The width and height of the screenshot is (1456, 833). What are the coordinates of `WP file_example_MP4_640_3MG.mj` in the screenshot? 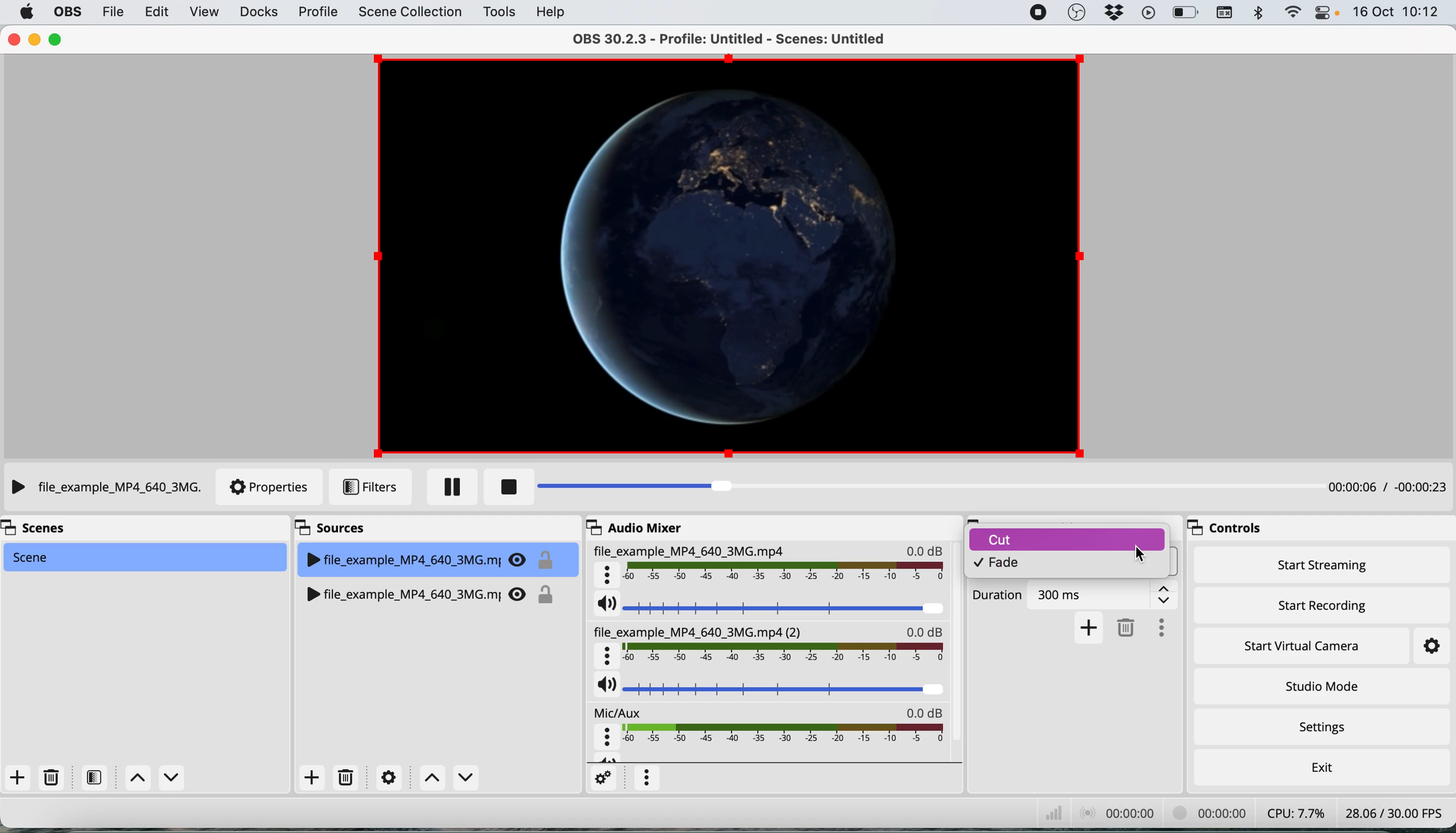 It's located at (431, 591).